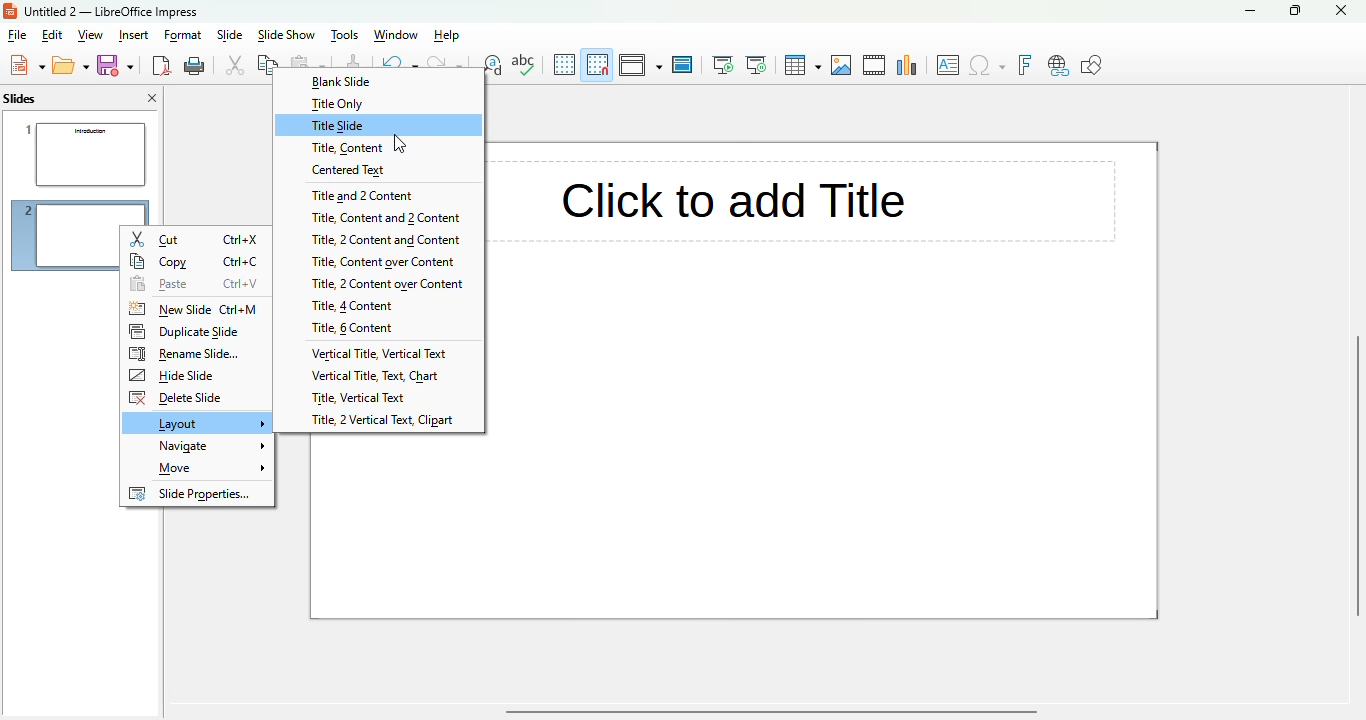 This screenshot has width=1366, height=720. What do you see at coordinates (10, 10) in the screenshot?
I see `logo` at bounding box center [10, 10].